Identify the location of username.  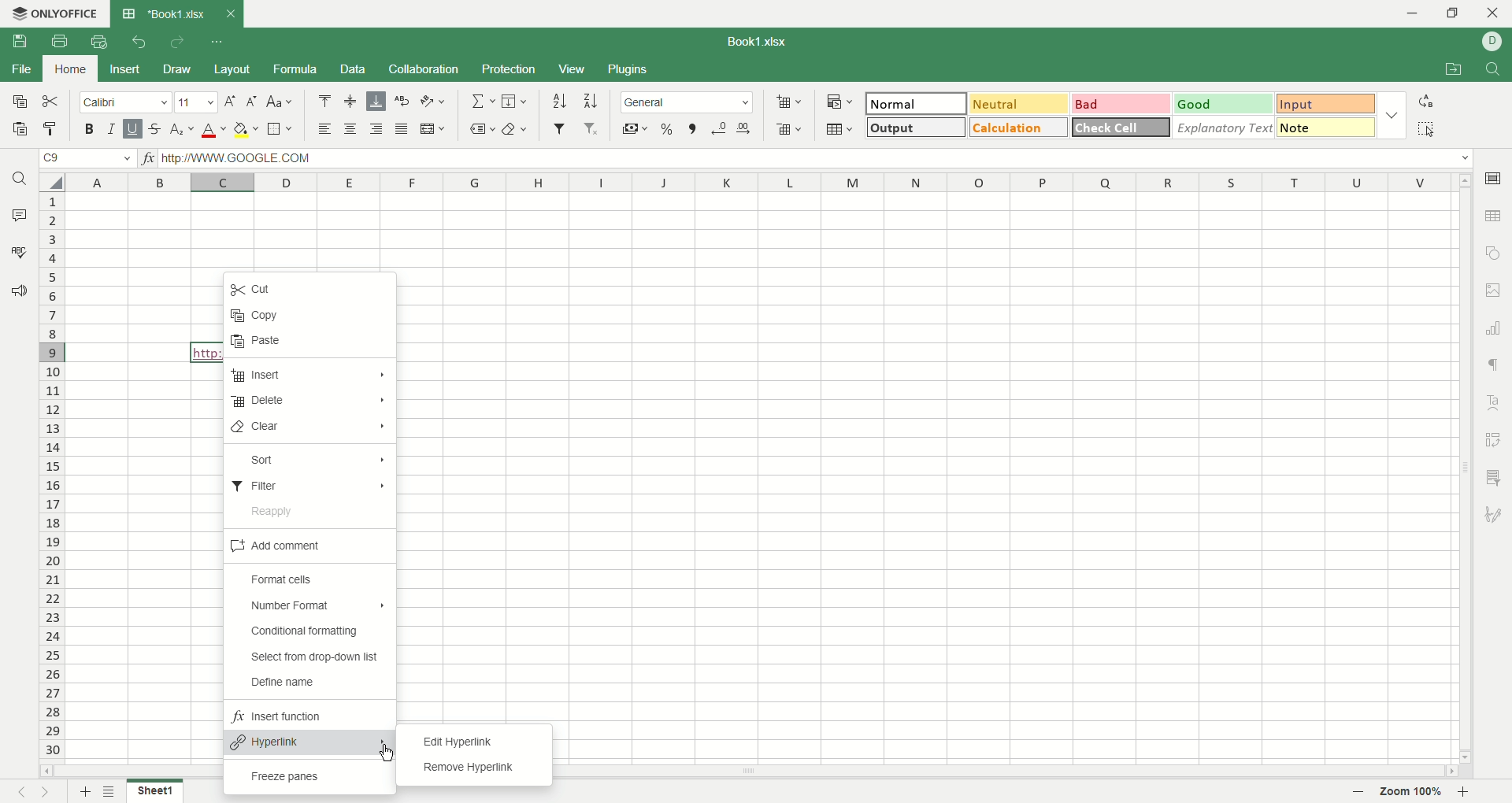
(1493, 41).